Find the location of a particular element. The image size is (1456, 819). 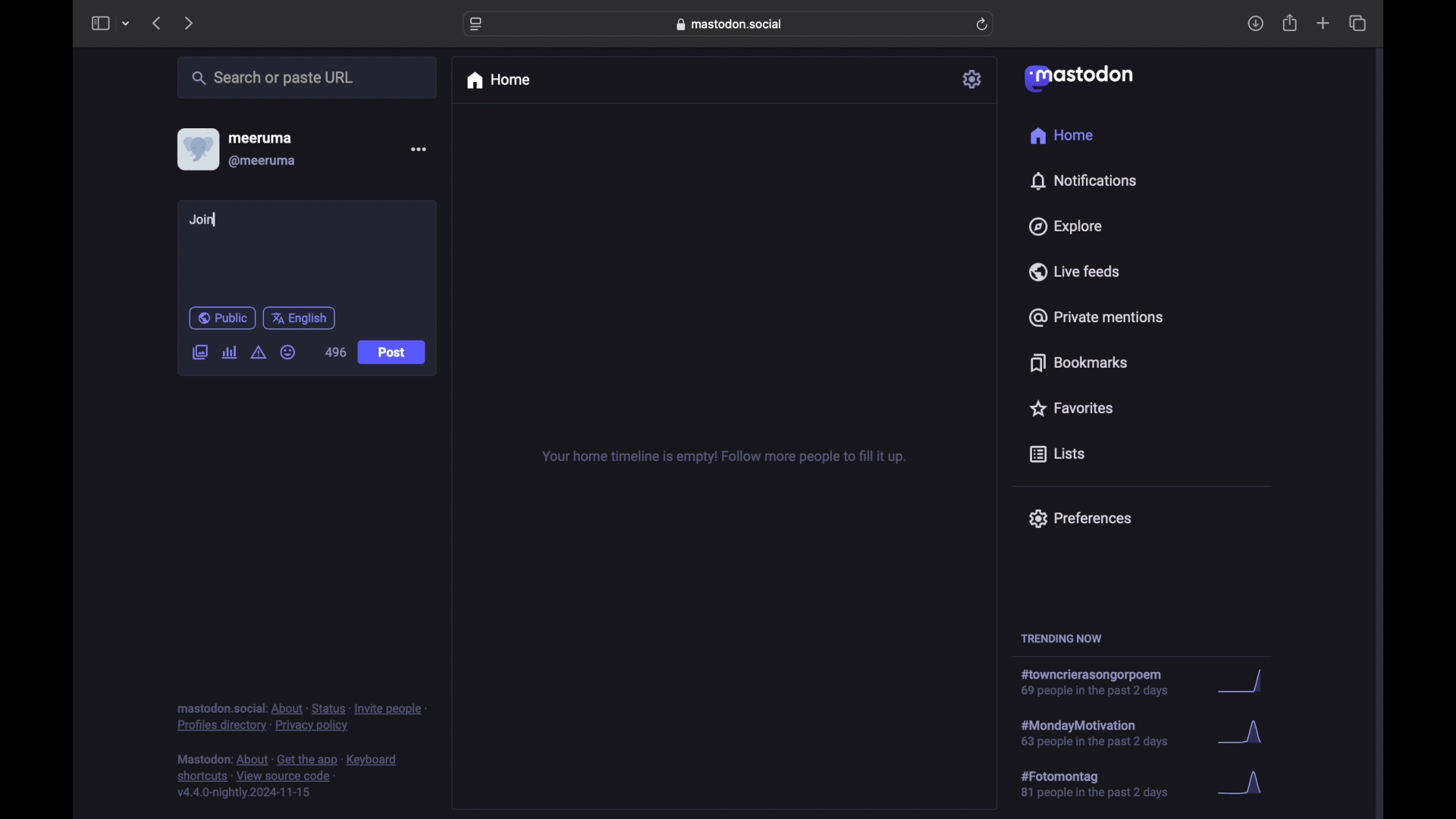

Post is located at coordinates (391, 352).